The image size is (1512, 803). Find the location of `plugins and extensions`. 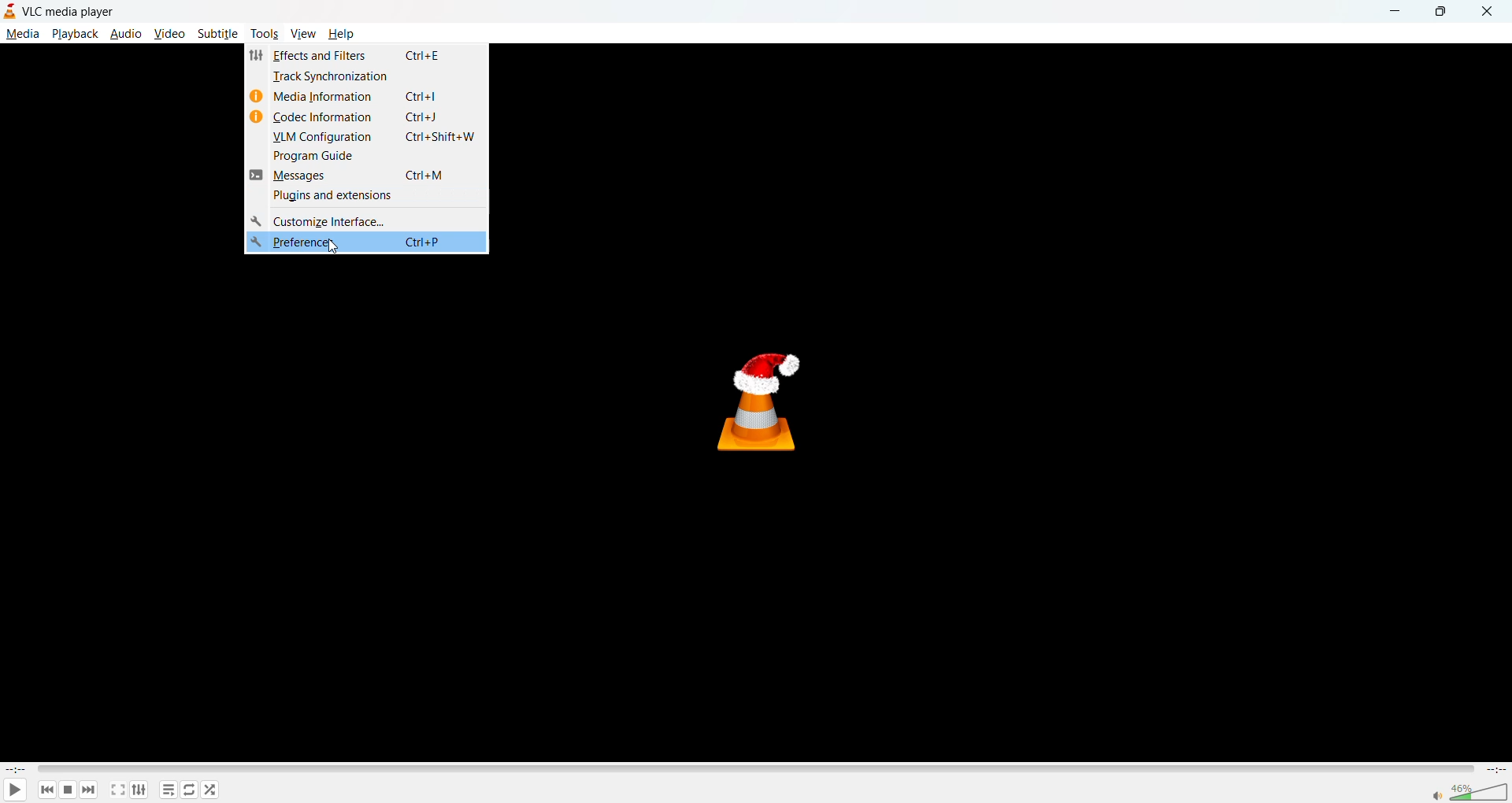

plugins and extensions is located at coordinates (339, 195).